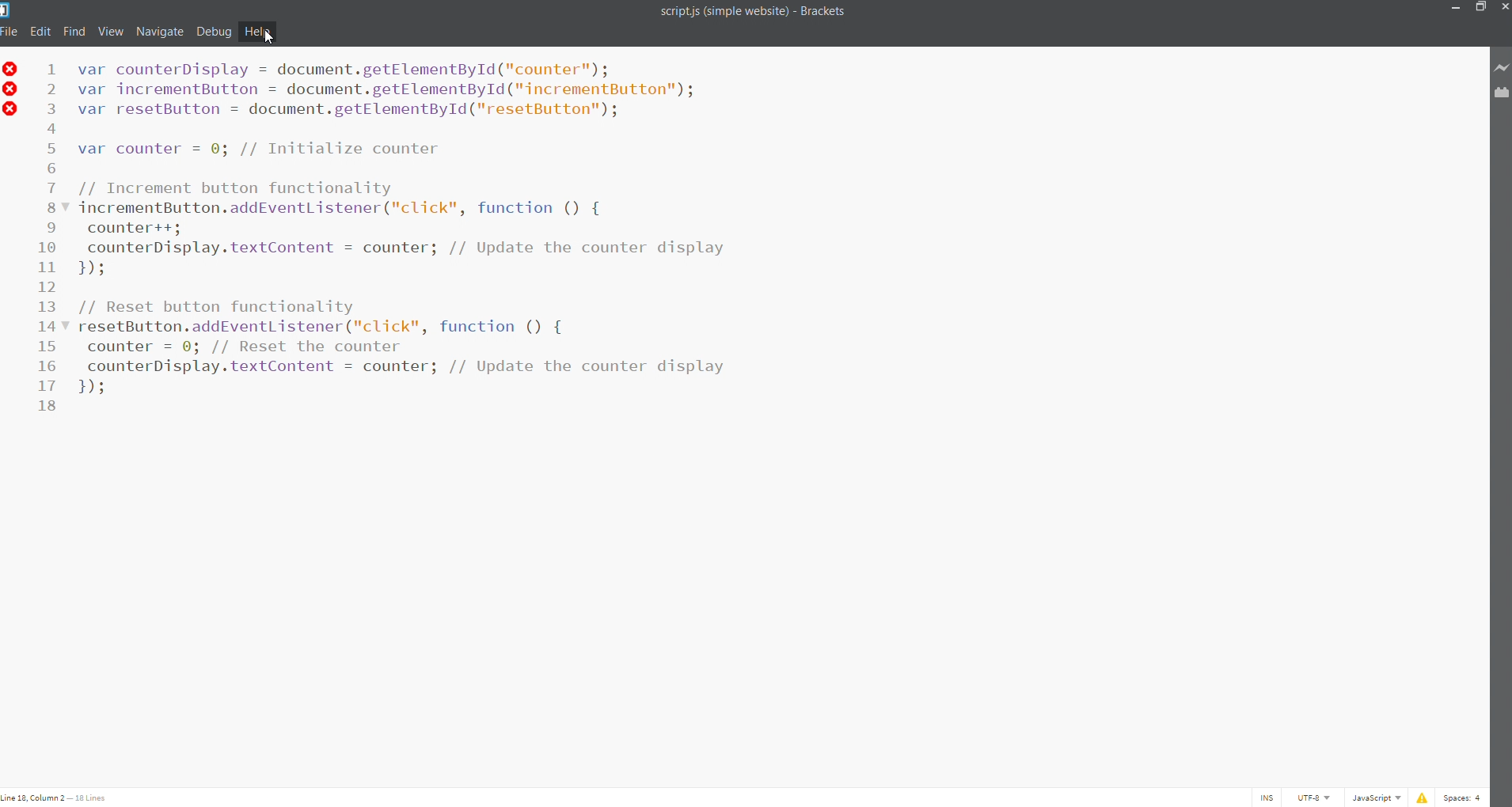  What do you see at coordinates (1503, 7) in the screenshot?
I see `close` at bounding box center [1503, 7].